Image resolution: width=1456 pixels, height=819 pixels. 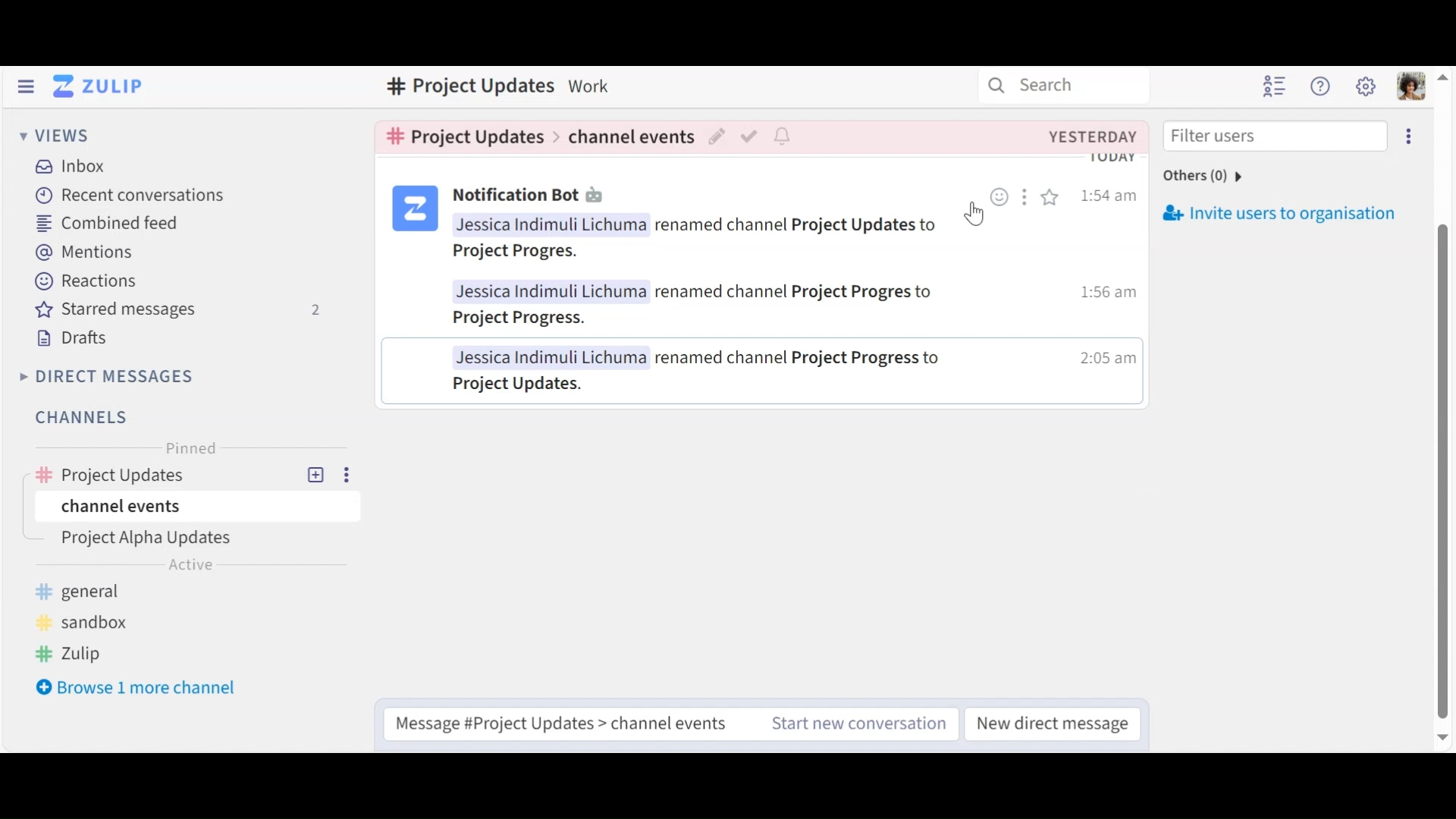 I want to click on Filter users, so click(x=1272, y=137).